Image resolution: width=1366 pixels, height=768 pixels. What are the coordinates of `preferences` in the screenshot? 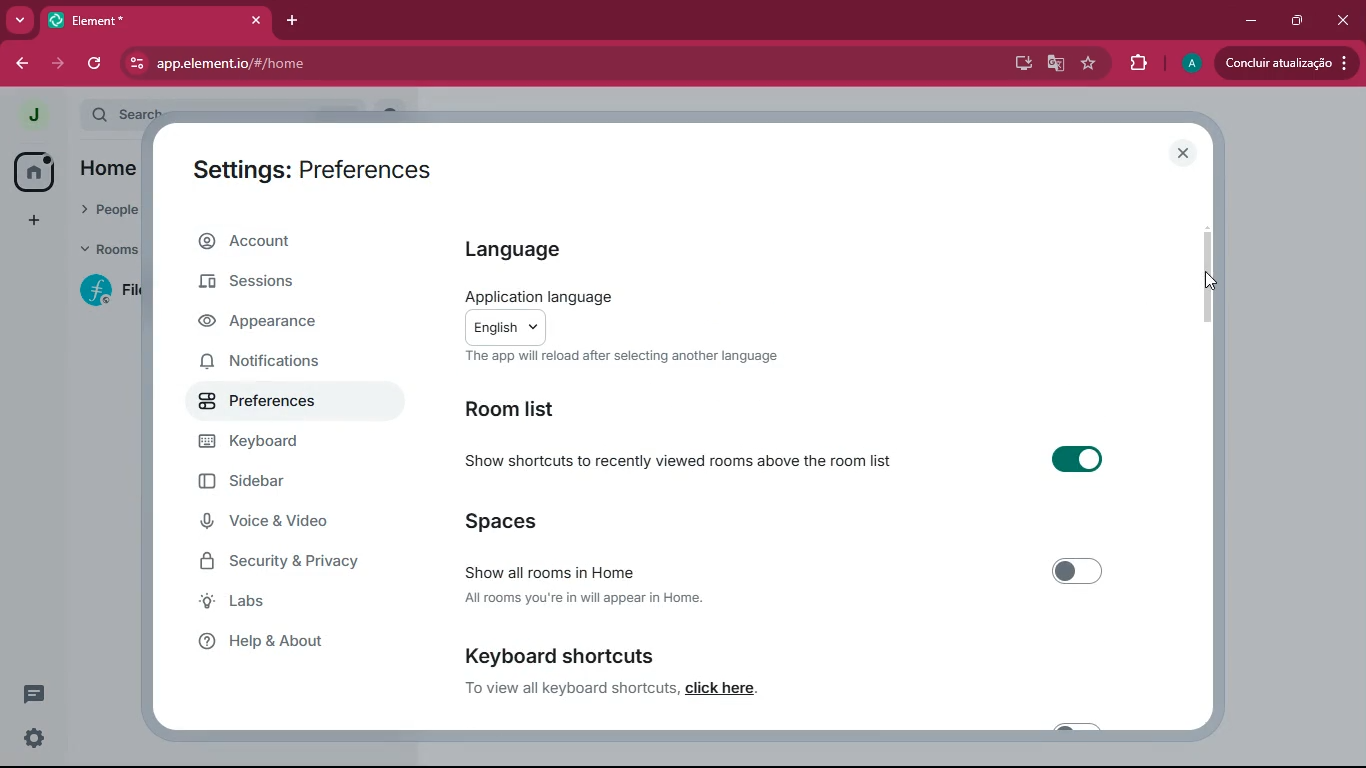 It's located at (274, 406).